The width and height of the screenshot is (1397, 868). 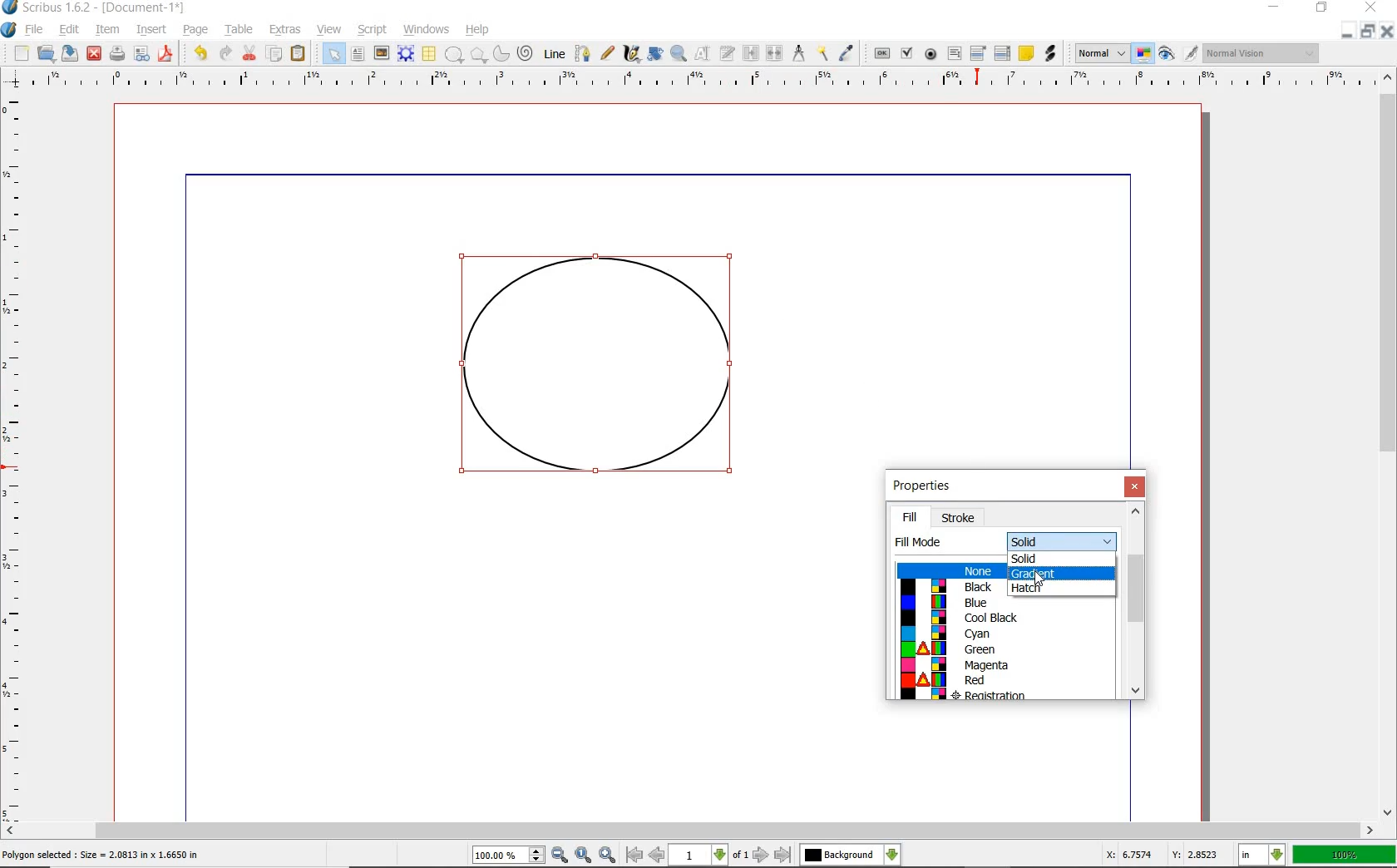 What do you see at coordinates (608, 52) in the screenshot?
I see `FREEHAND LINE` at bounding box center [608, 52].